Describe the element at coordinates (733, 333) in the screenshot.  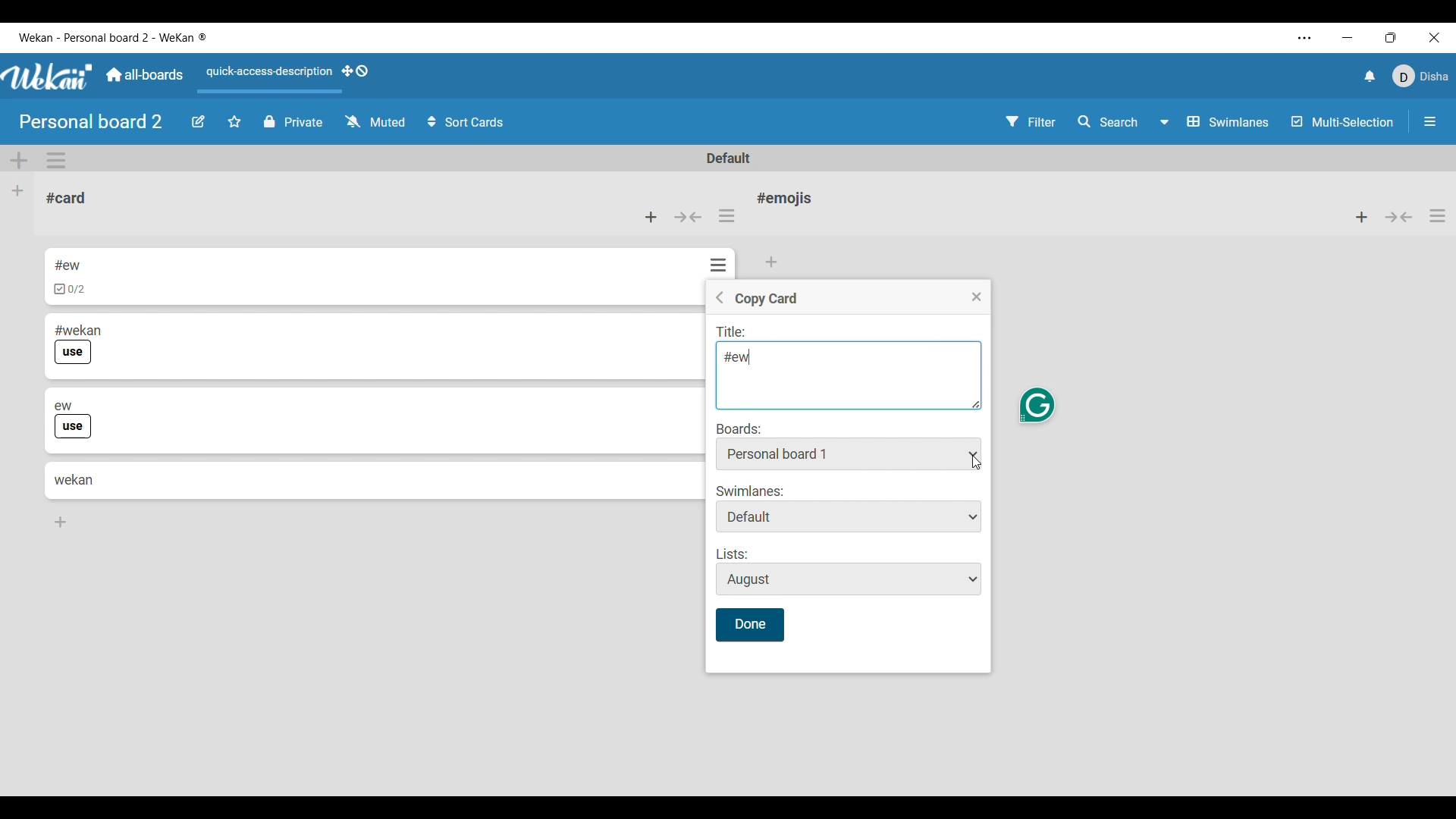
I see `Indicates title` at that location.